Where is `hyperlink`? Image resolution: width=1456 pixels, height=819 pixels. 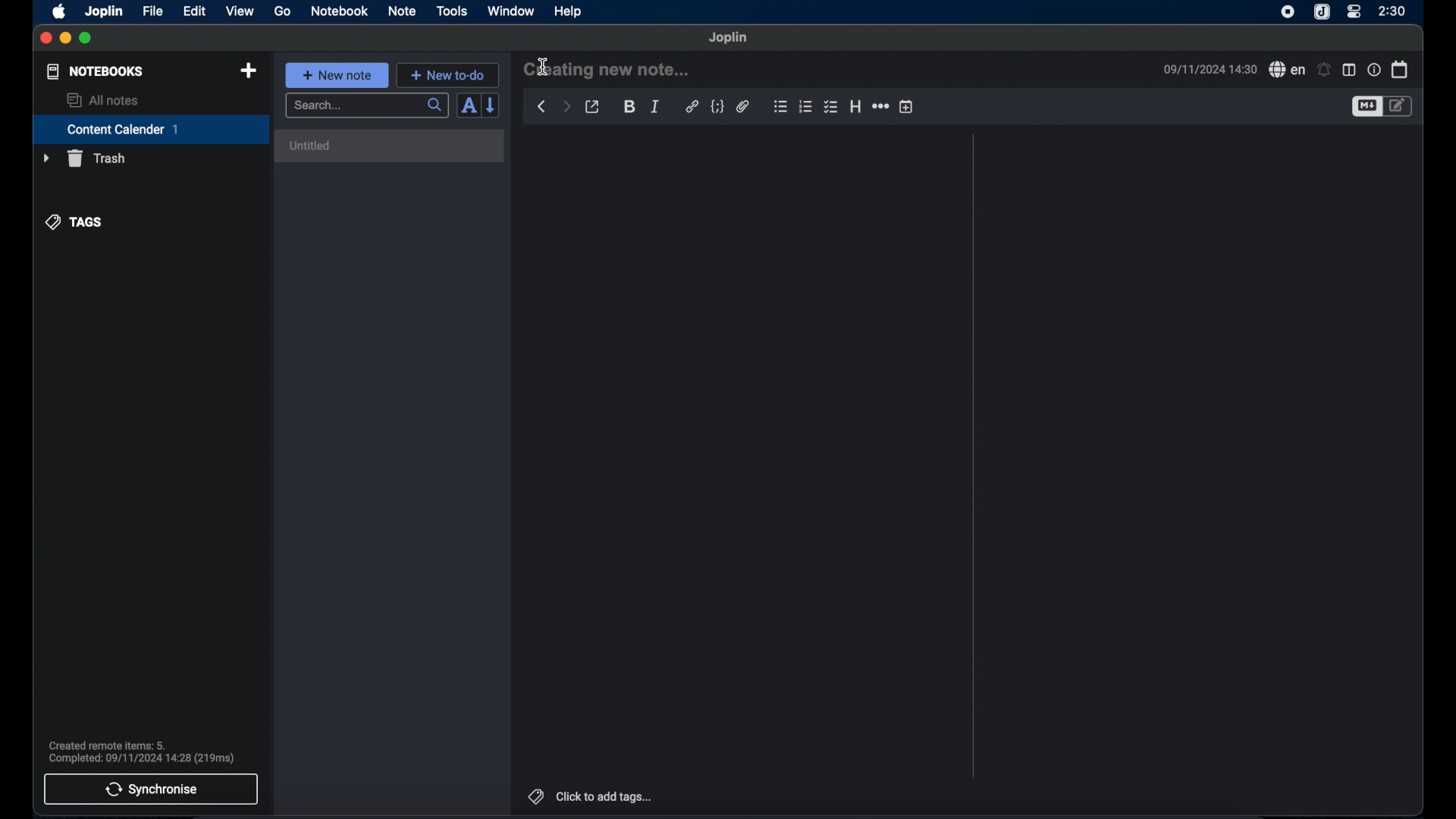 hyperlink is located at coordinates (692, 105).